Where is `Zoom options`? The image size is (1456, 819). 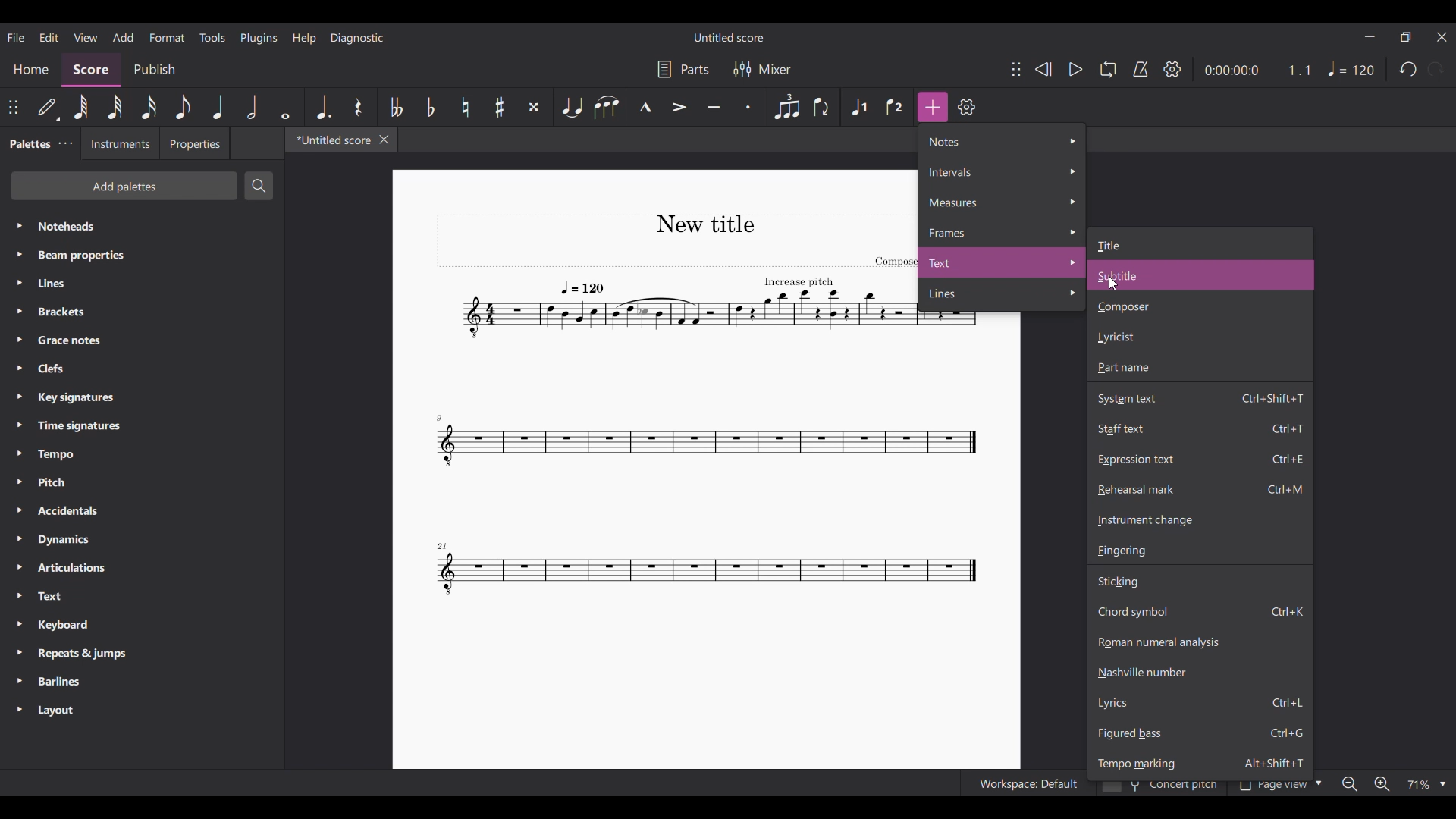 Zoom options is located at coordinates (1426, 783).